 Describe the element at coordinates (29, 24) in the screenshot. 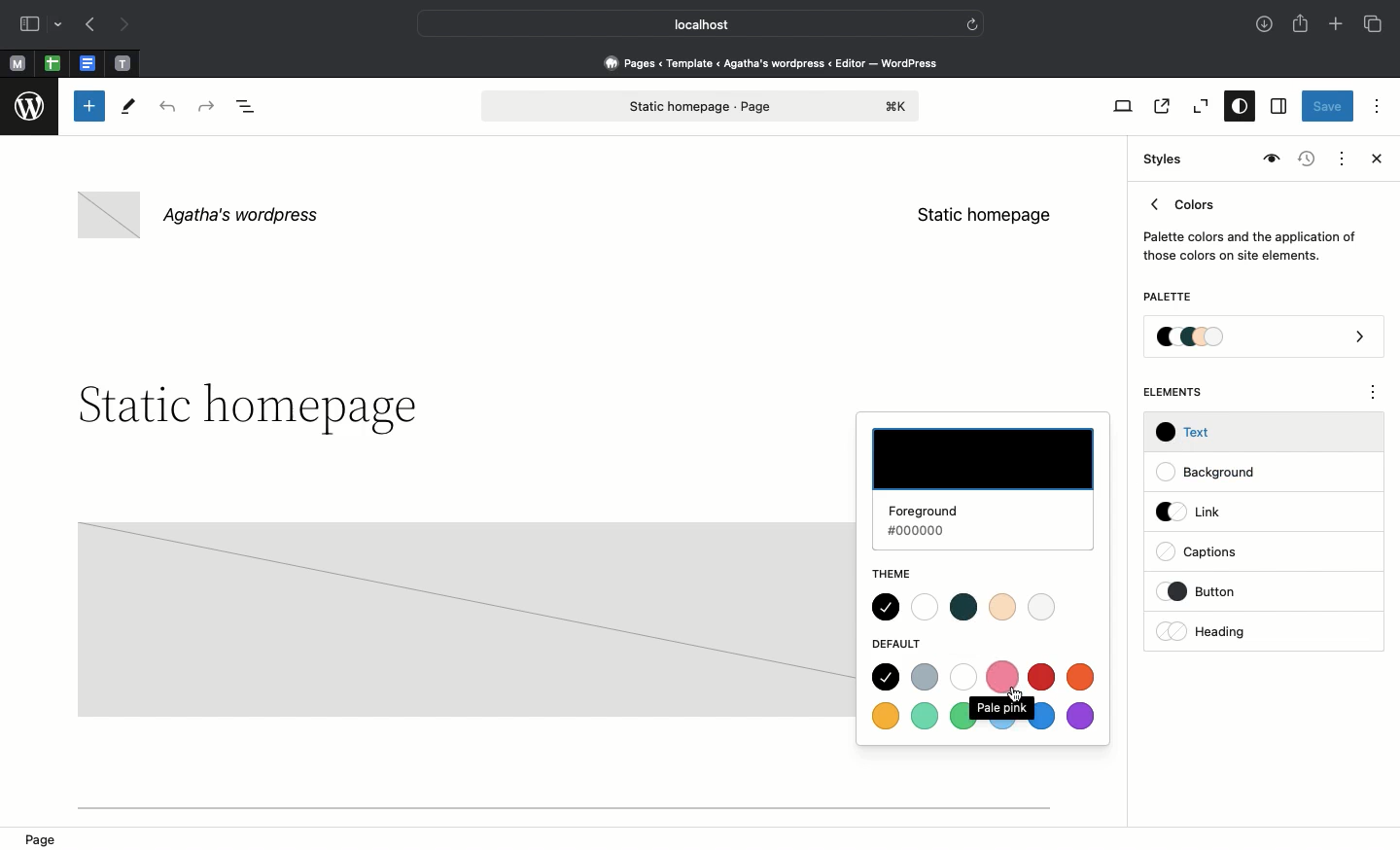

I see `Sidebar` at that location.